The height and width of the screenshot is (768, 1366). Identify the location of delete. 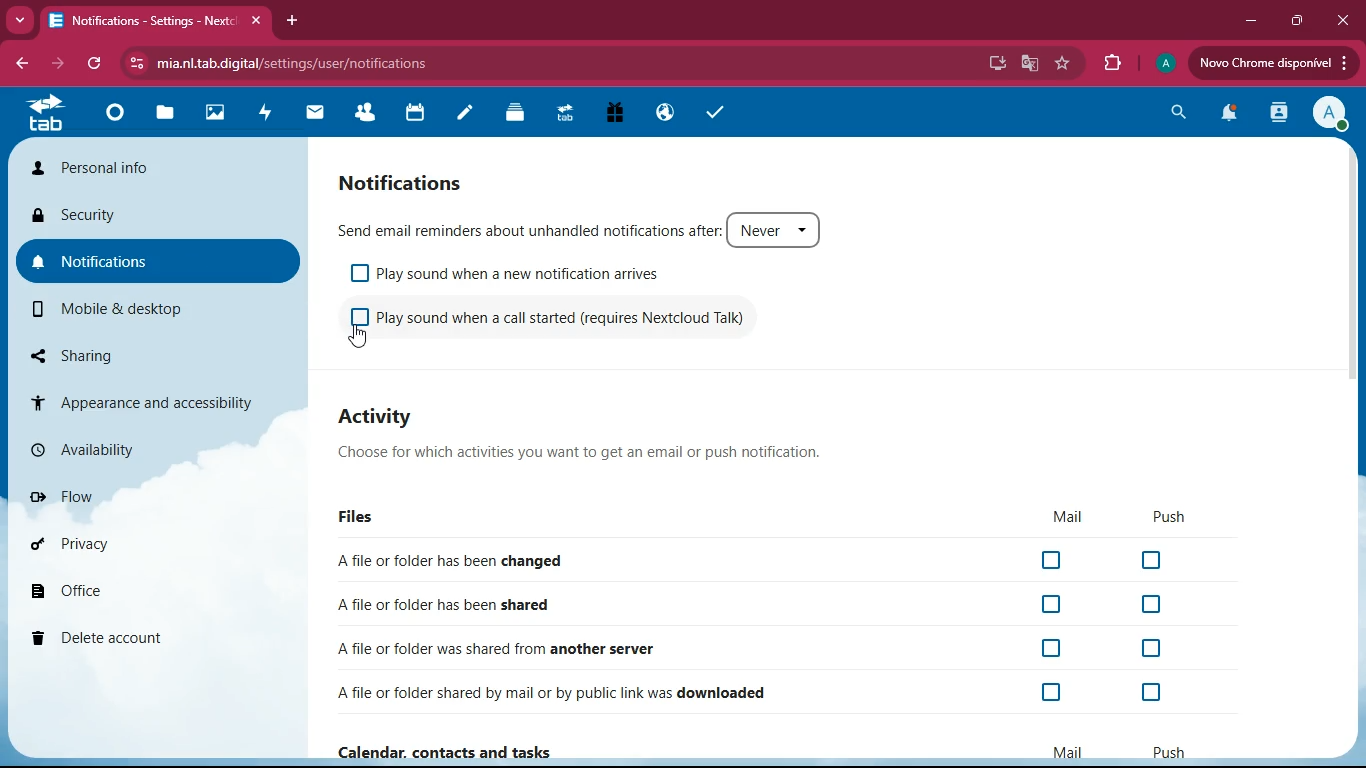
(108, 641).